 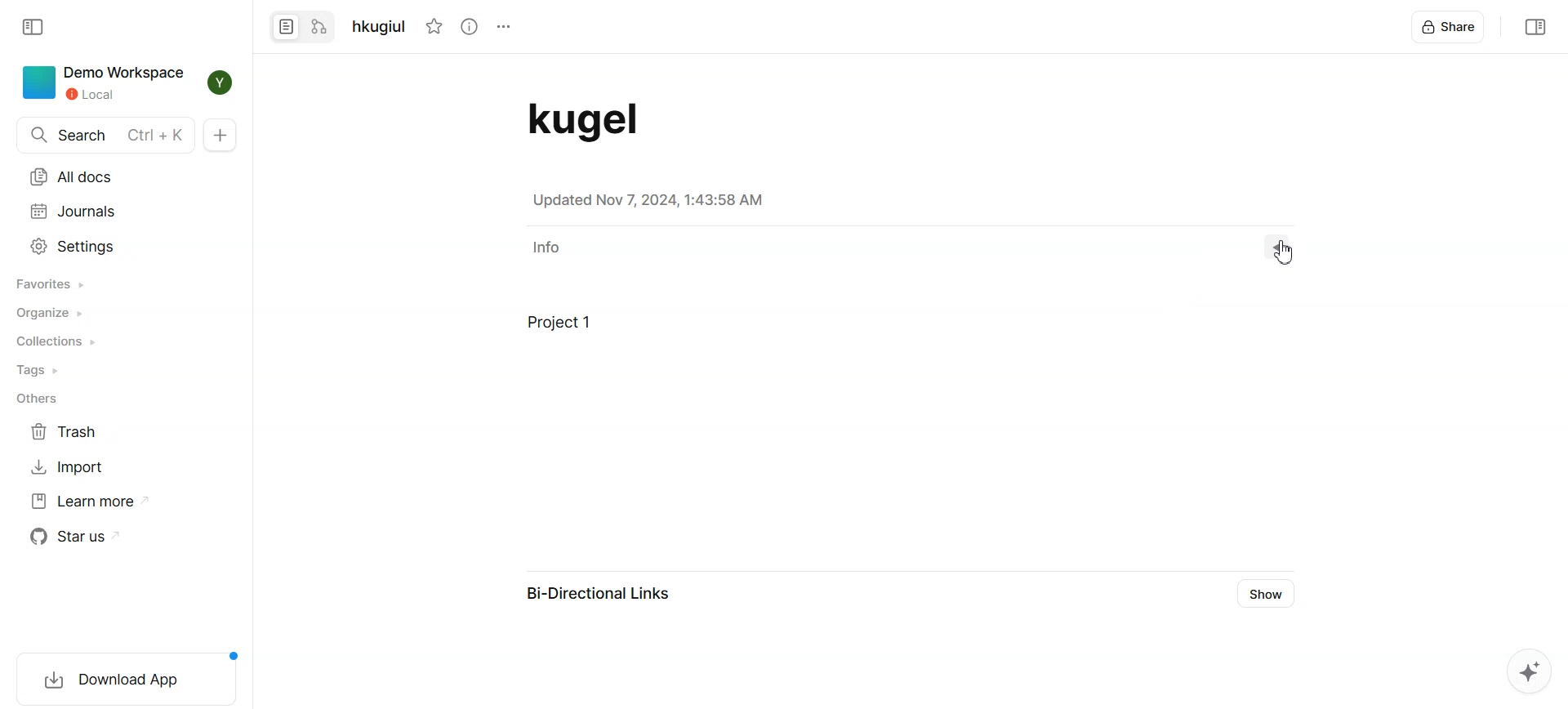 What do you see at coordinates (75, 212) in the screenshot?
I see `Journals` at bounding box center [75, 212].